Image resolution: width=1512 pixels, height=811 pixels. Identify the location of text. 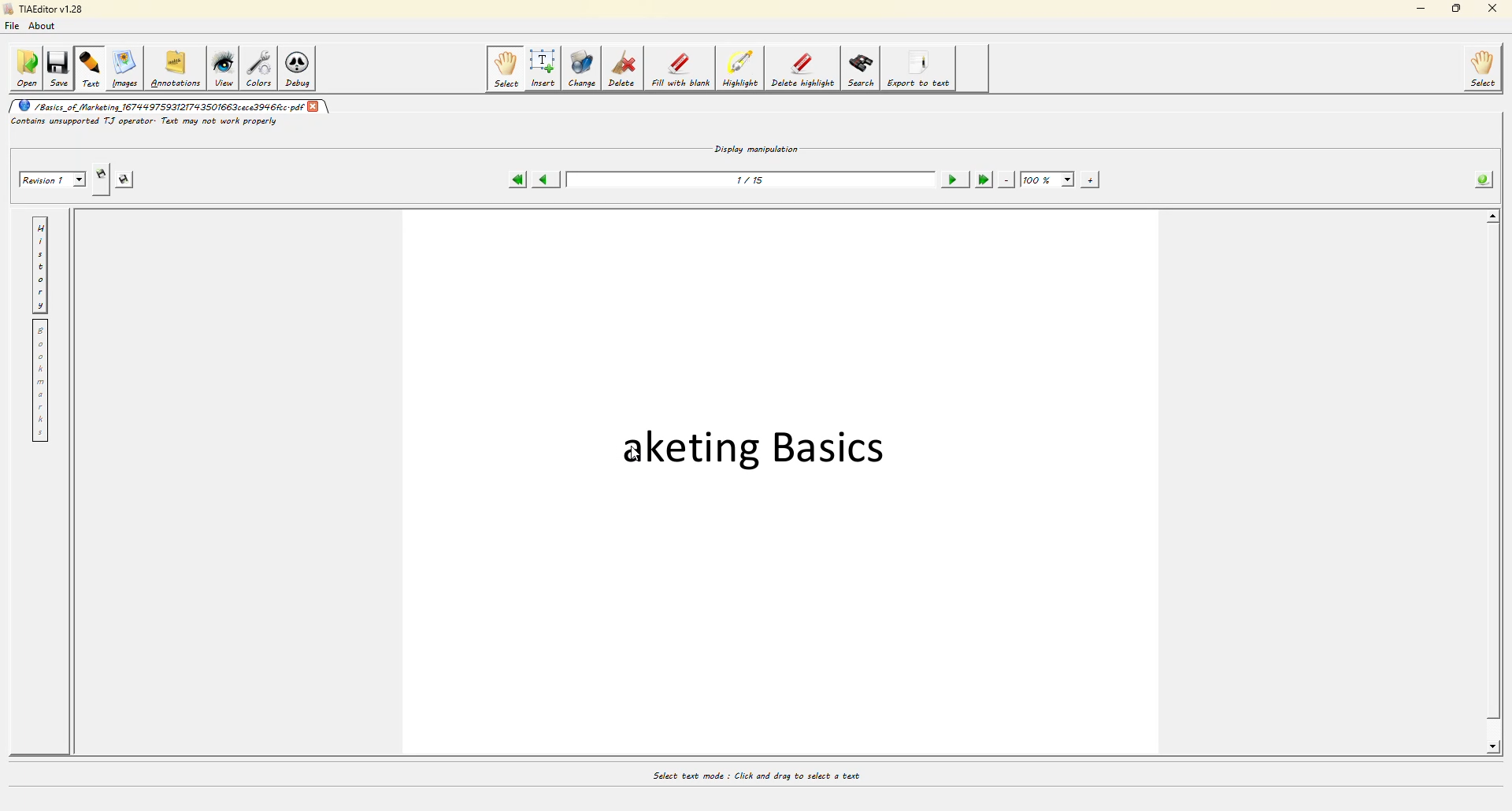
(91, 69).